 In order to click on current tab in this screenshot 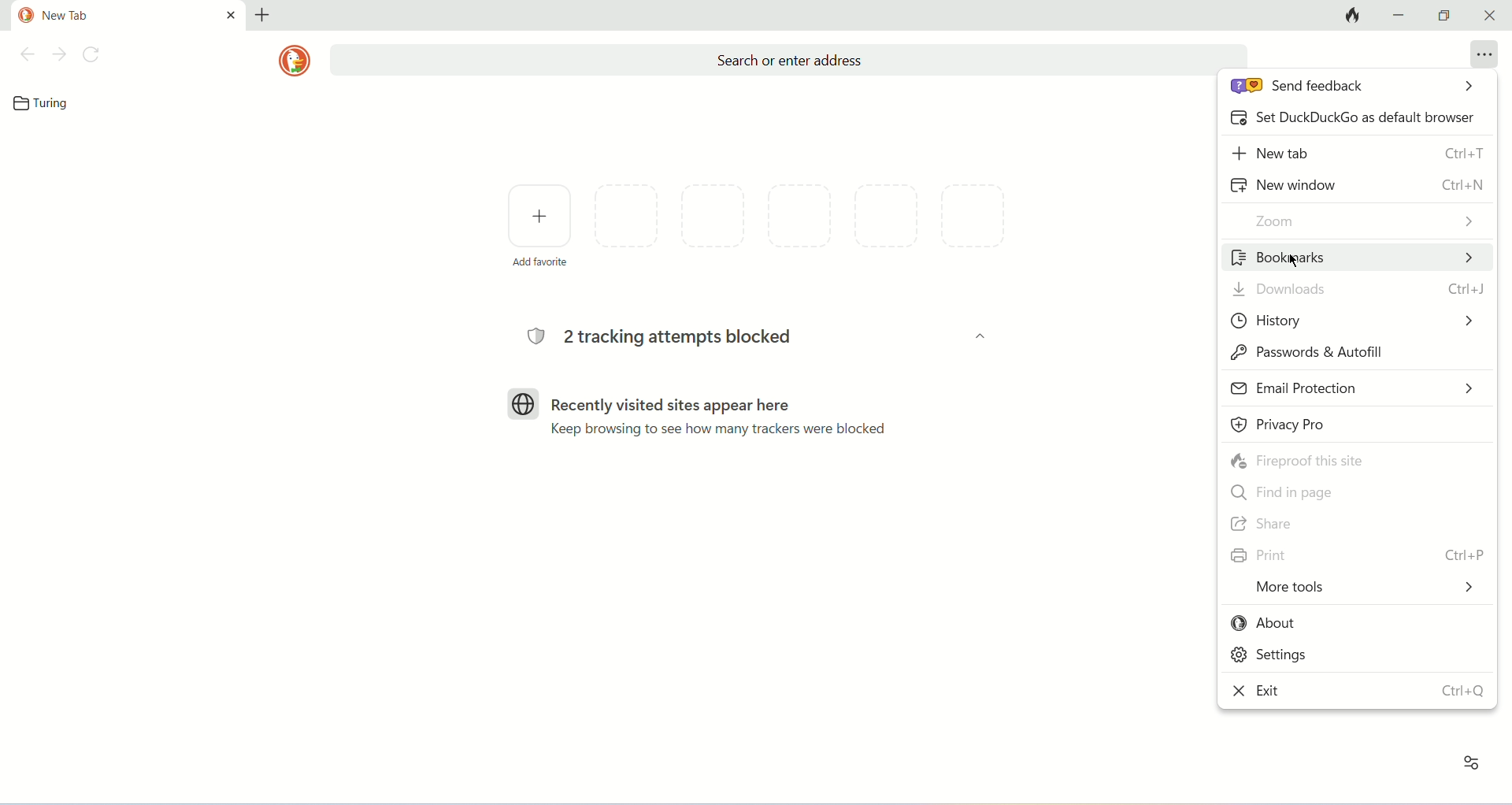, I will do `click(129, 14)`.